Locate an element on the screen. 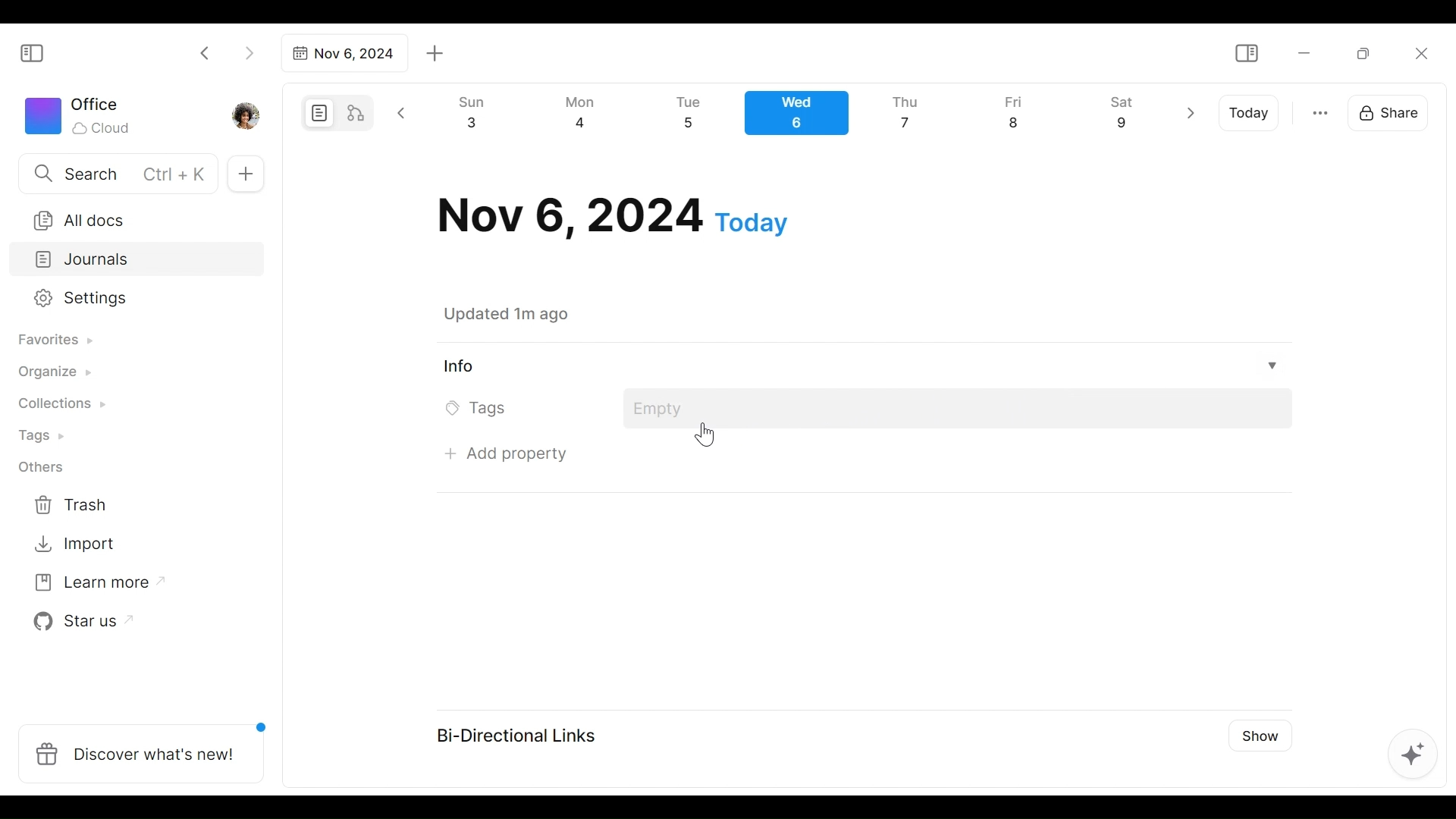  AFFiNE AI is located at coordinates (1413, 756).